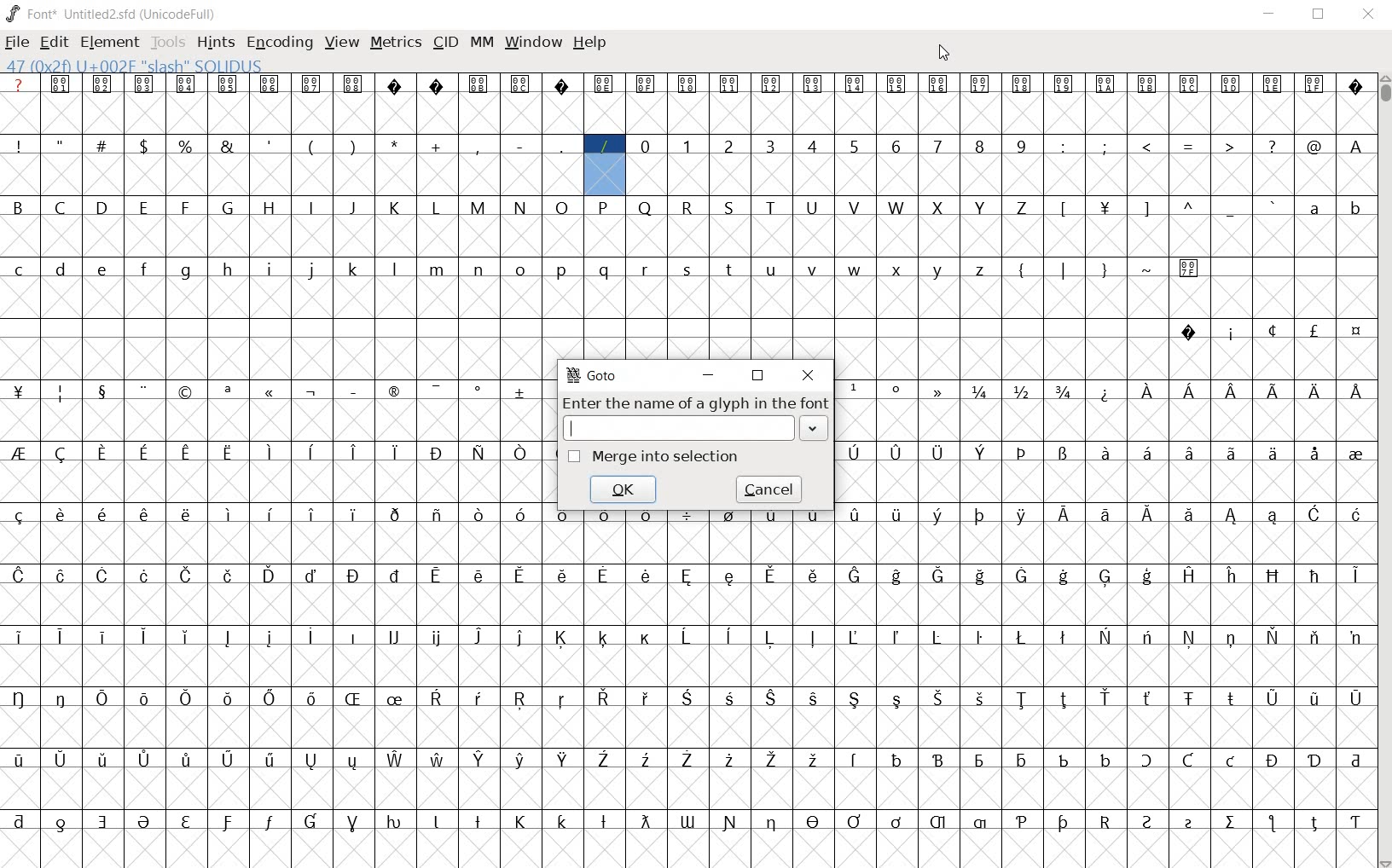  Describe the element at coordinates (187, 637) in the screenshot. I see `glyph` at that location.